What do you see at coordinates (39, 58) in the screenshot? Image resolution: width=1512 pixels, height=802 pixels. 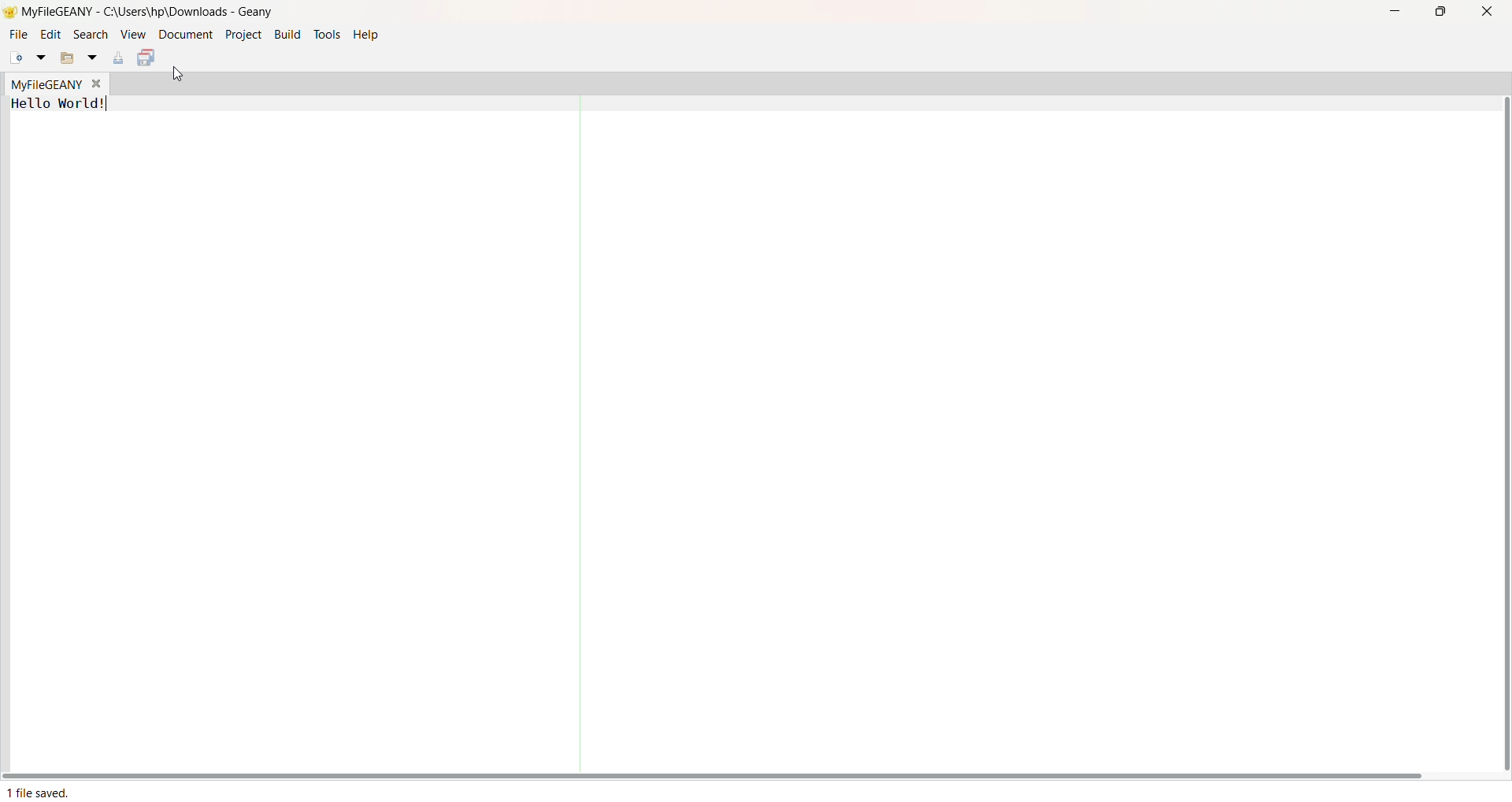 I see `New File Drop Down` at bounding box center [39, 58].